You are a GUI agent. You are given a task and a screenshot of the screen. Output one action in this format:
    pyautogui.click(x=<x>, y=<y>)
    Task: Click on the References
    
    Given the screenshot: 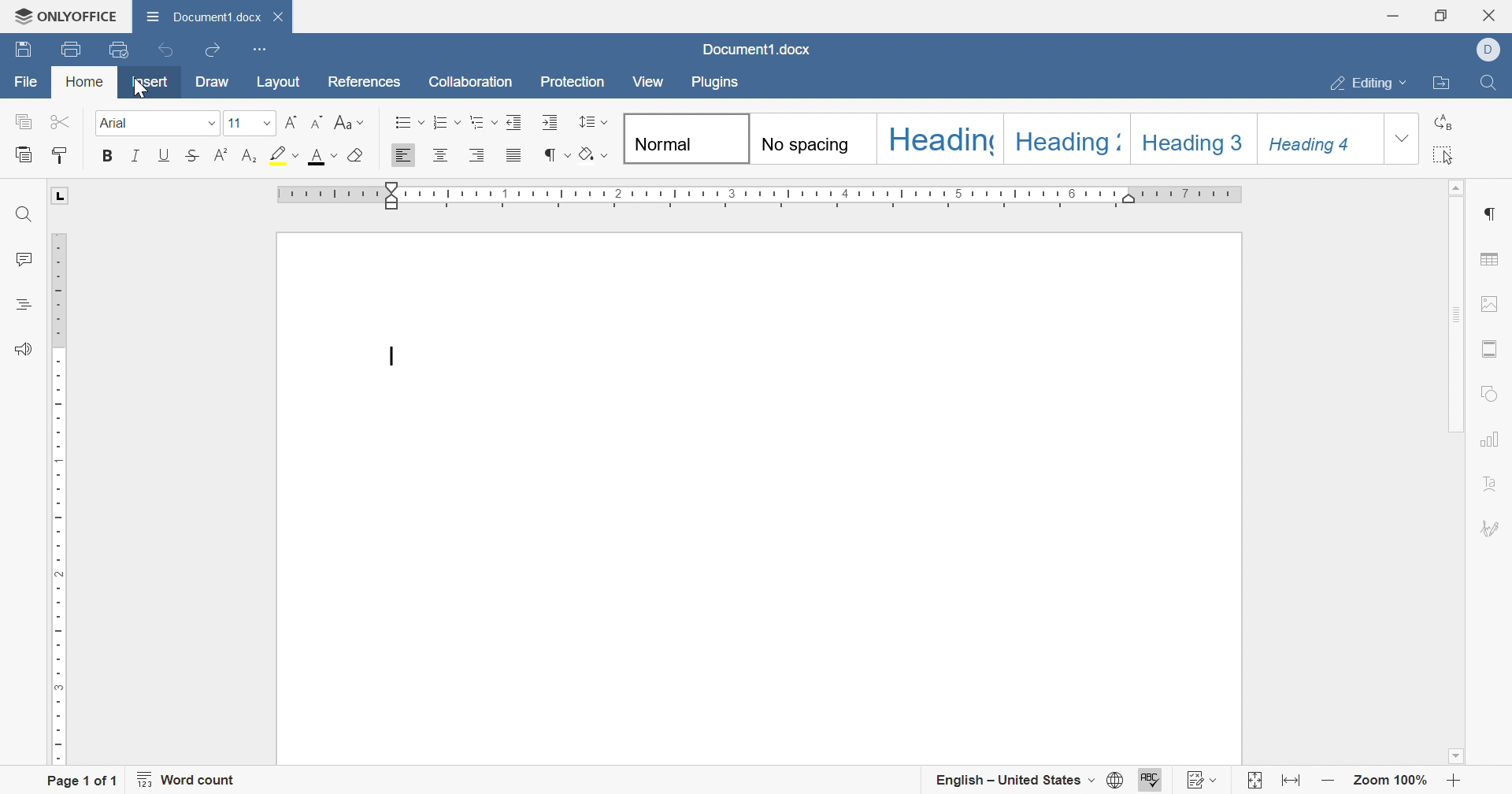 What is the action you would take?
    pyautogui.click(x=366, y=81)
    